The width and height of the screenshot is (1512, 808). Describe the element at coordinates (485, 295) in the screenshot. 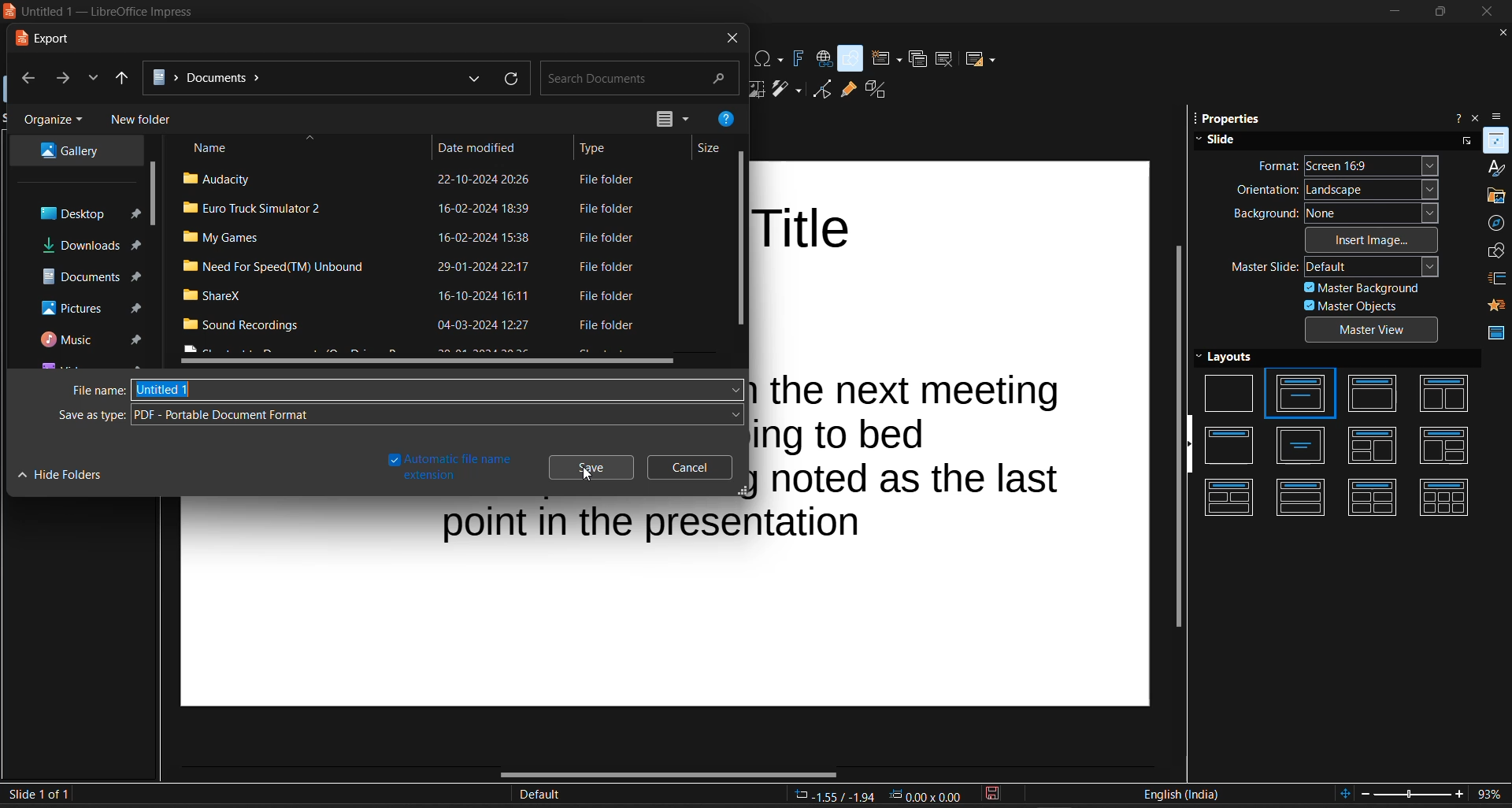

I see `16-10-2024 16:11` at that location.